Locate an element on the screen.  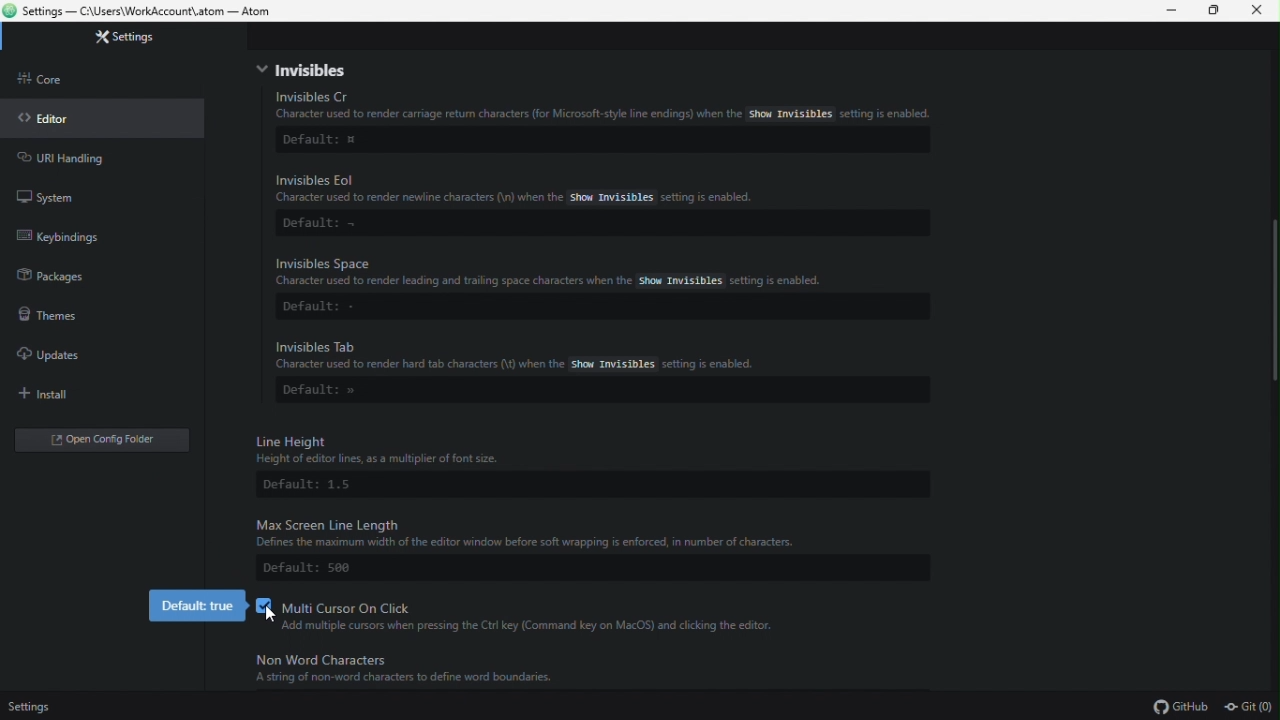
git is located at coordinates (1246, 706).